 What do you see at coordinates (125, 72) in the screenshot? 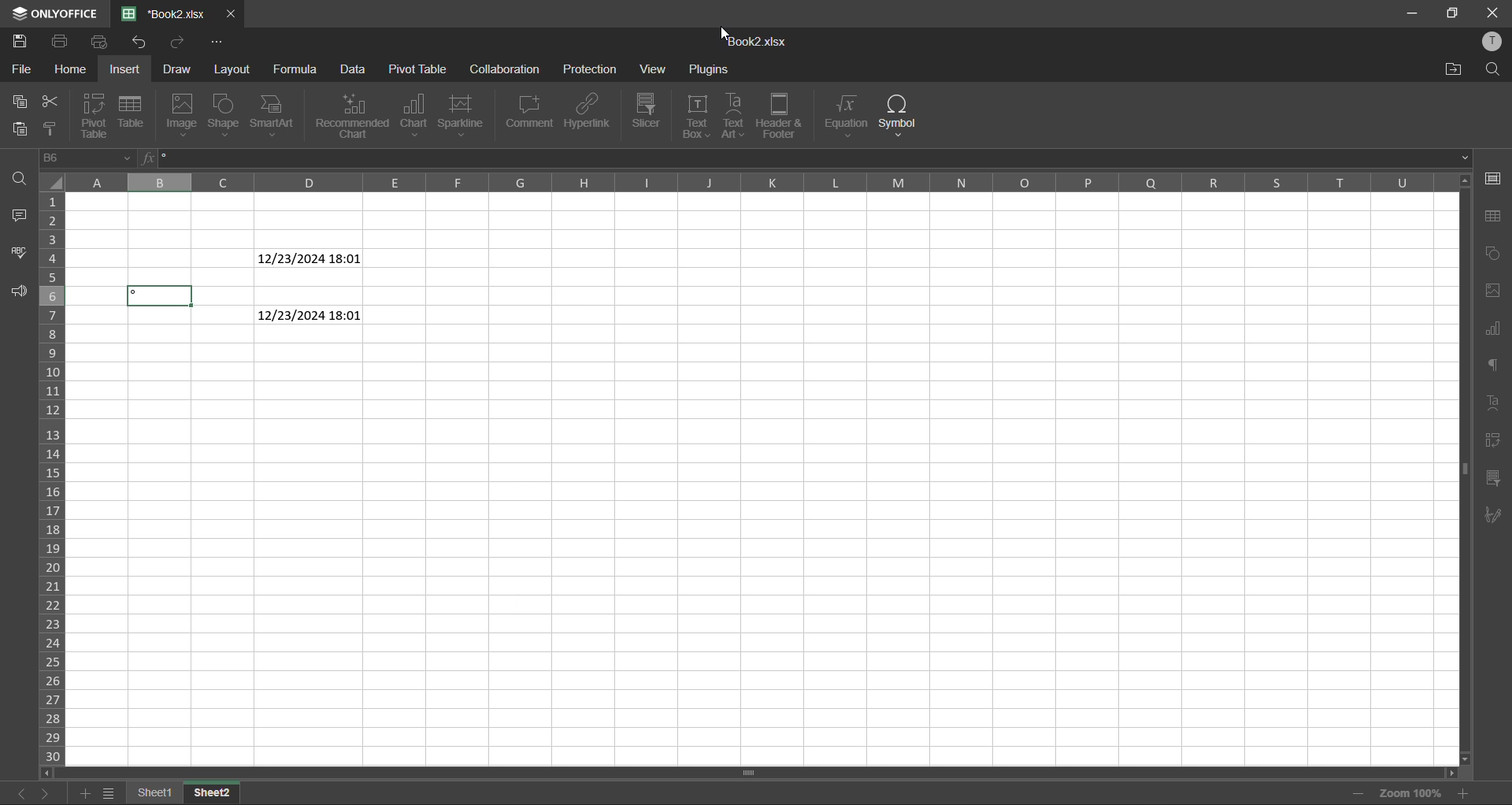
I see `insert` at bounding box center [125, 72].